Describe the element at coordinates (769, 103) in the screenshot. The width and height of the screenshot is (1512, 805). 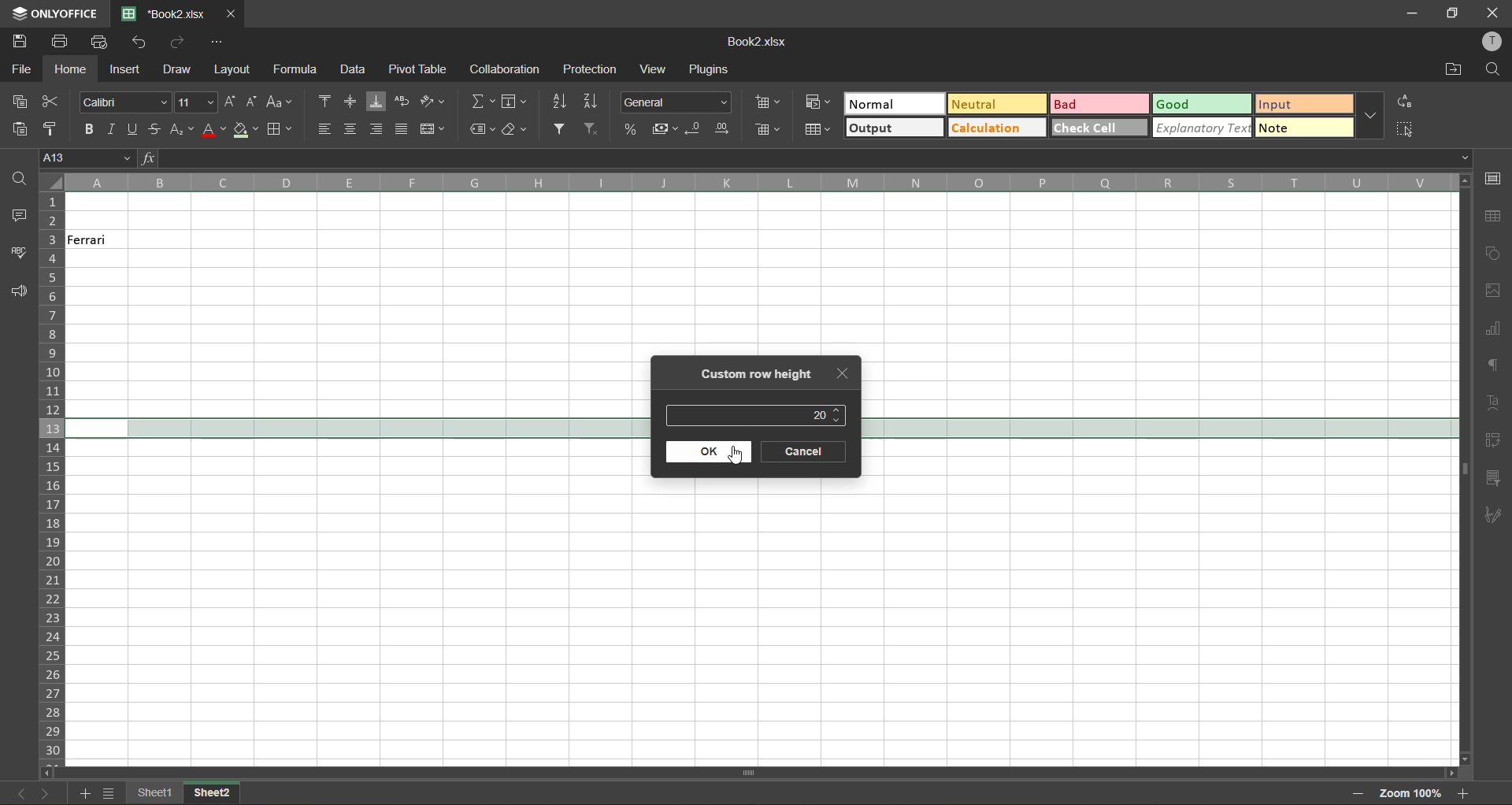
I see `insert cells` at that location.